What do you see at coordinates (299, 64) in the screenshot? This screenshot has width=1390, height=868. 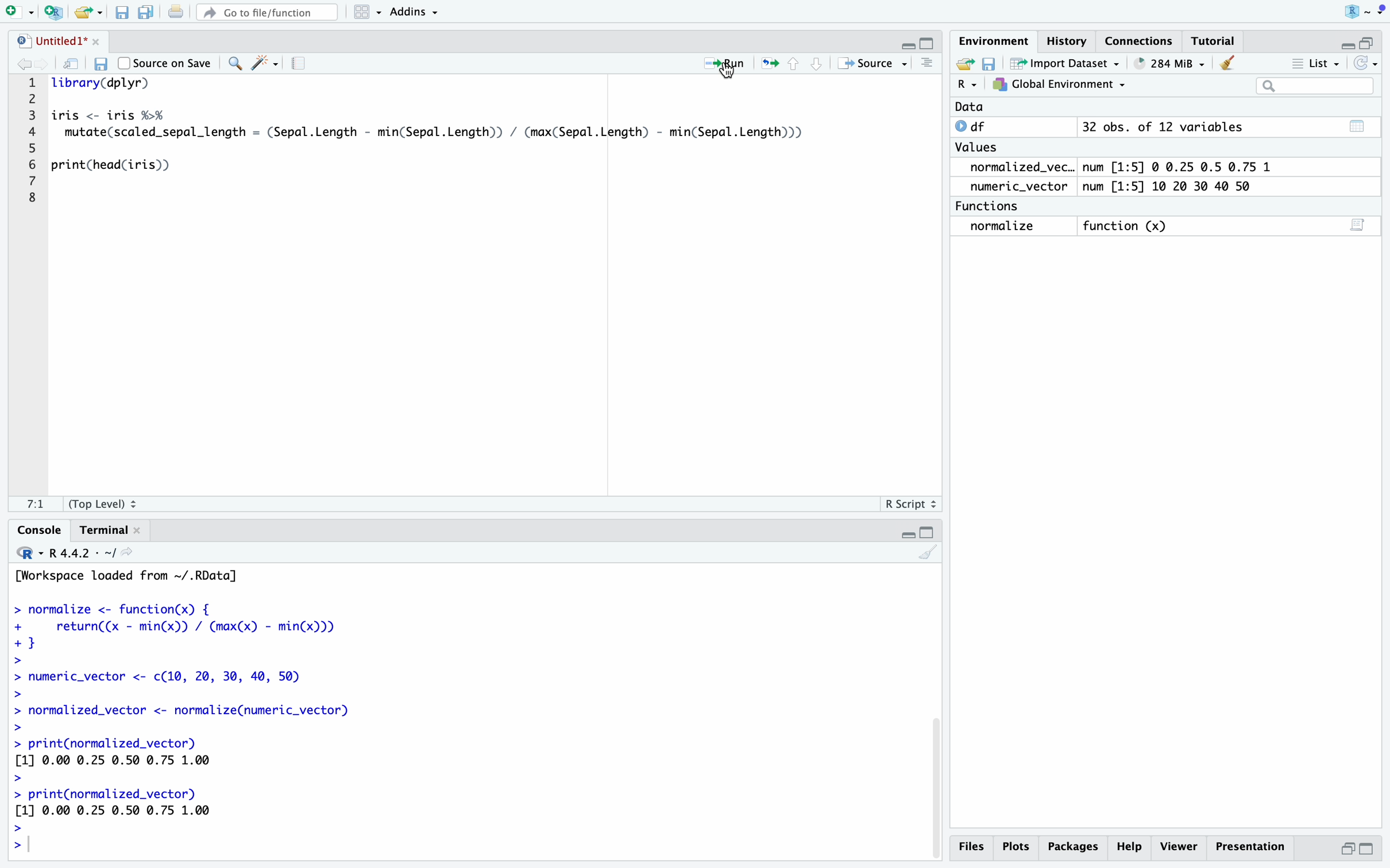 I see `Page` at bounding box center [299, 64].